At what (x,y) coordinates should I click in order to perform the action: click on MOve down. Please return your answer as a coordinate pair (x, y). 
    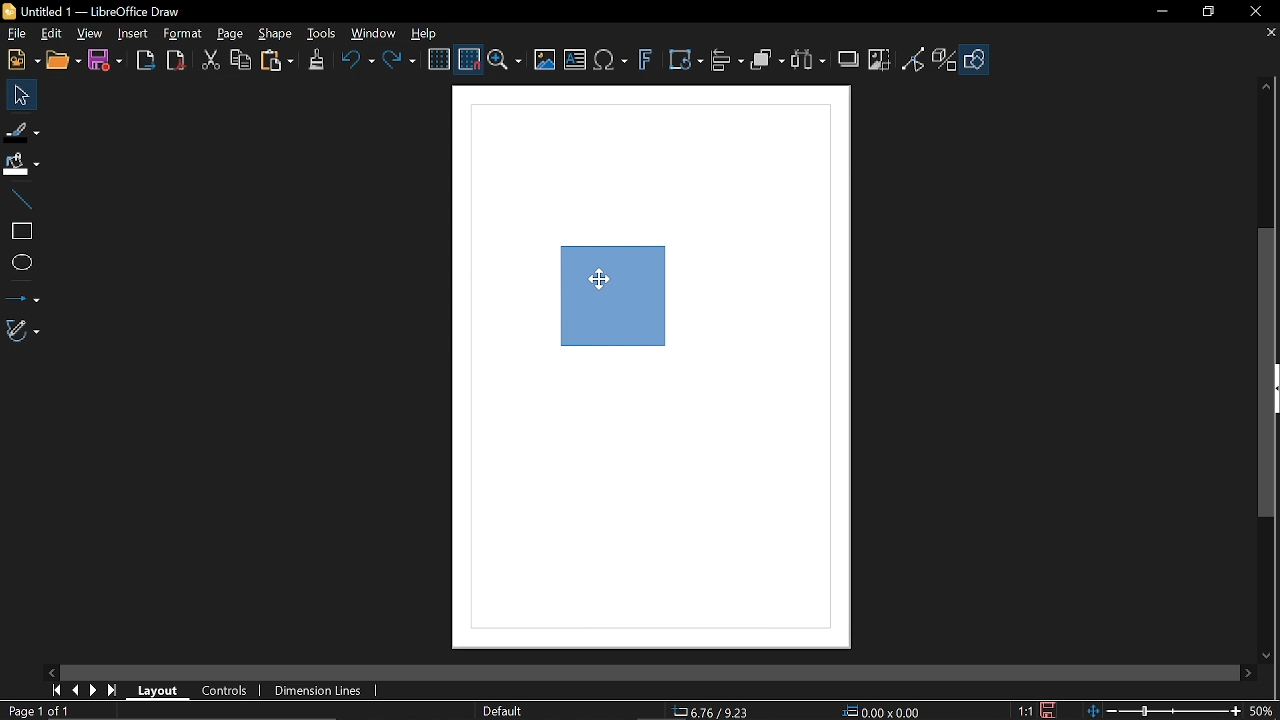
    Looking at the image, I should click on (1272, 655).